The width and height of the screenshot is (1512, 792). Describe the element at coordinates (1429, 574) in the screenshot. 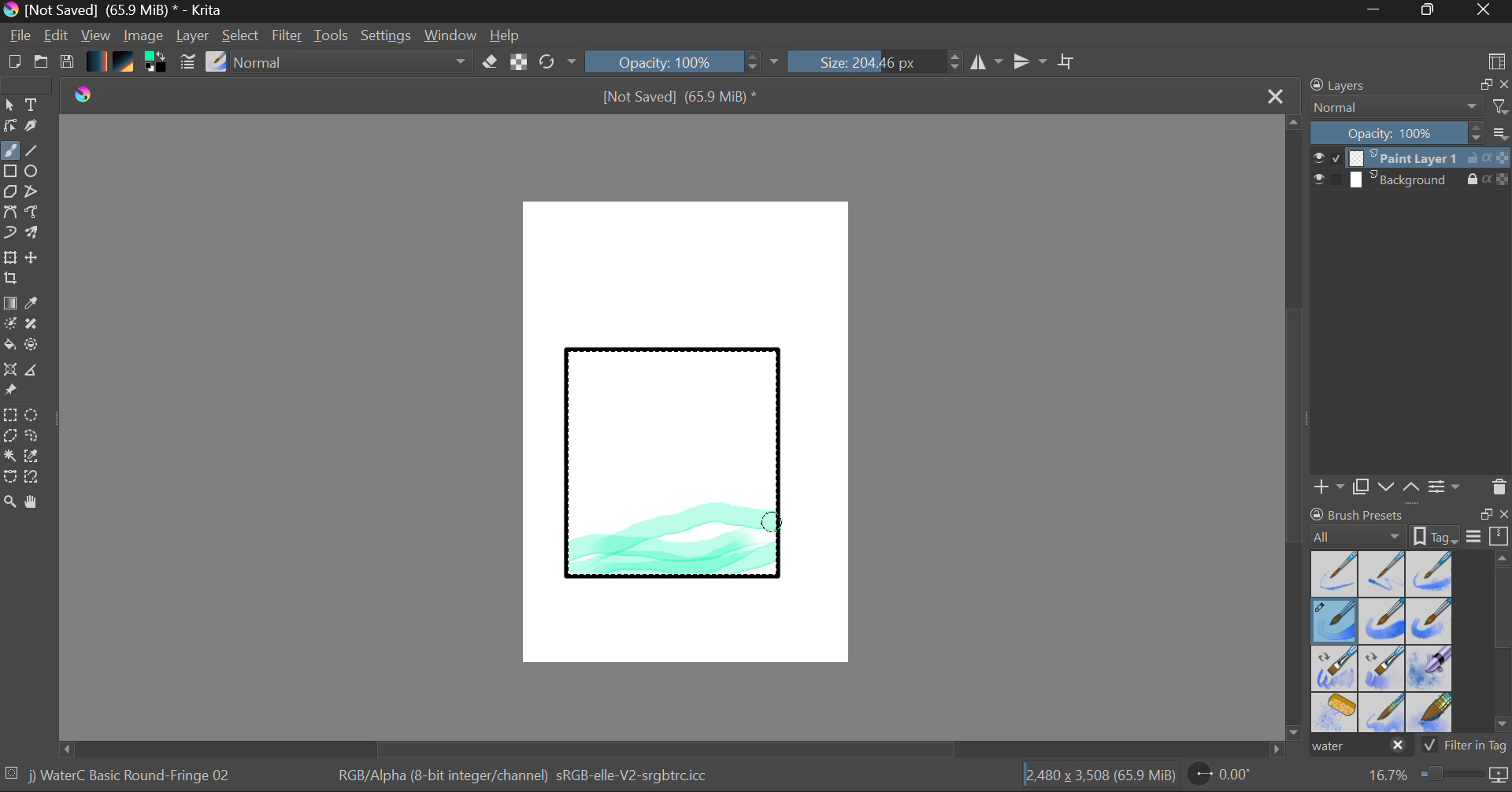

I see `Water C - Wet Pattern` at that location.